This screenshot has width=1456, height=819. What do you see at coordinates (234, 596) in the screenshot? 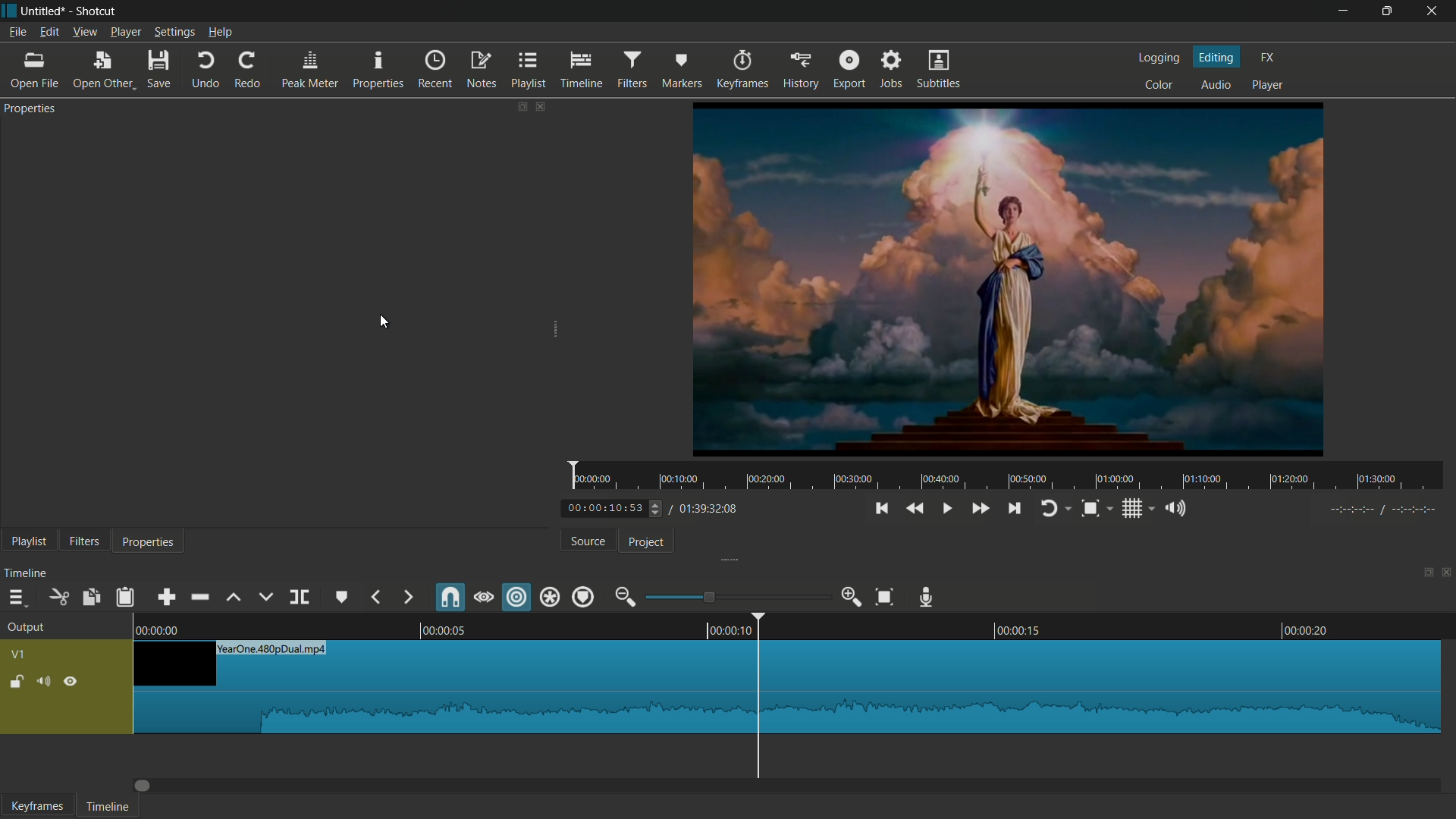
I see `lift` at bounding box center [234, 596].